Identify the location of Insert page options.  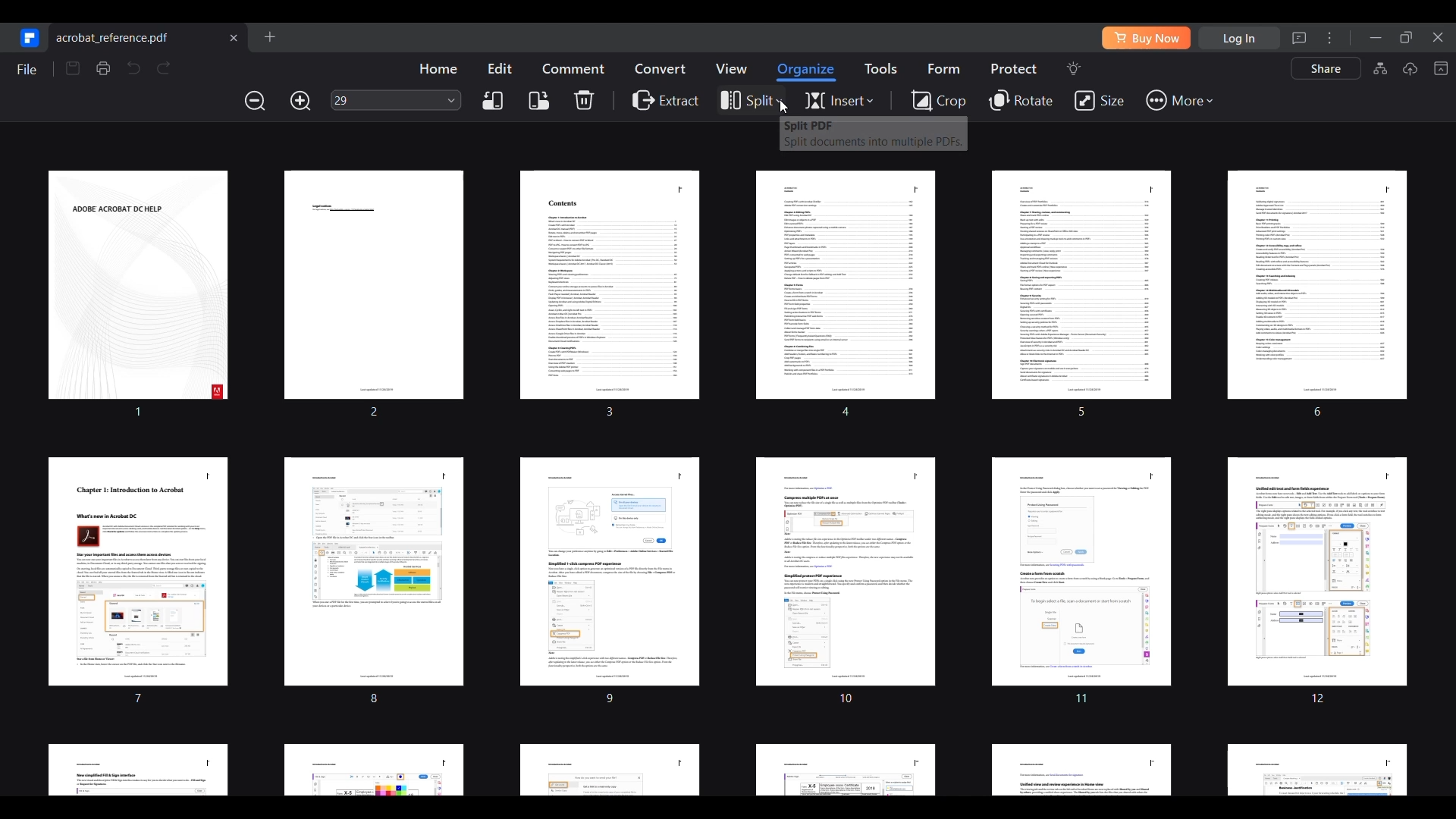
(839, 101).